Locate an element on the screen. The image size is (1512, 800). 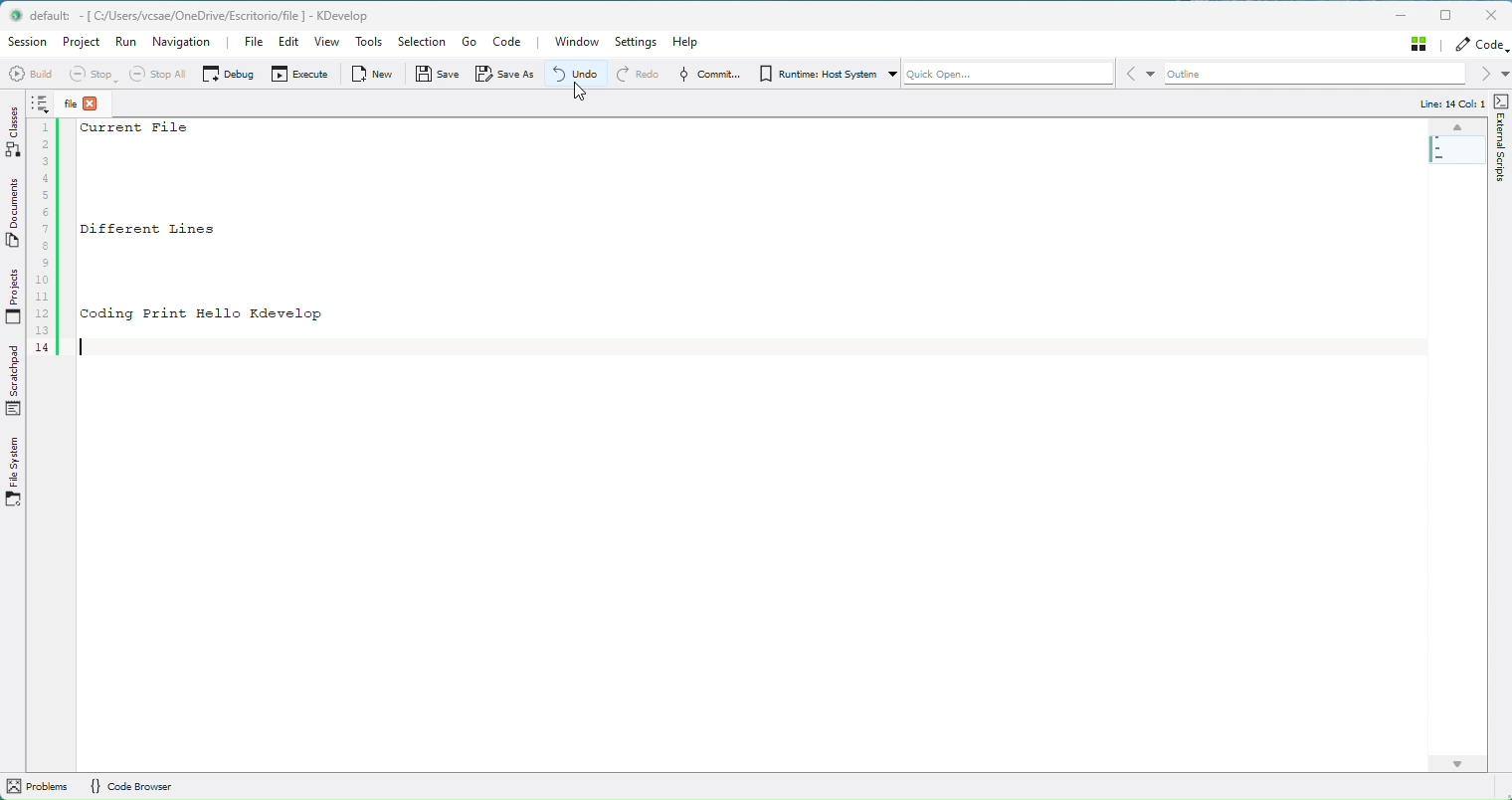
Run is located at coordinates (127, 43).